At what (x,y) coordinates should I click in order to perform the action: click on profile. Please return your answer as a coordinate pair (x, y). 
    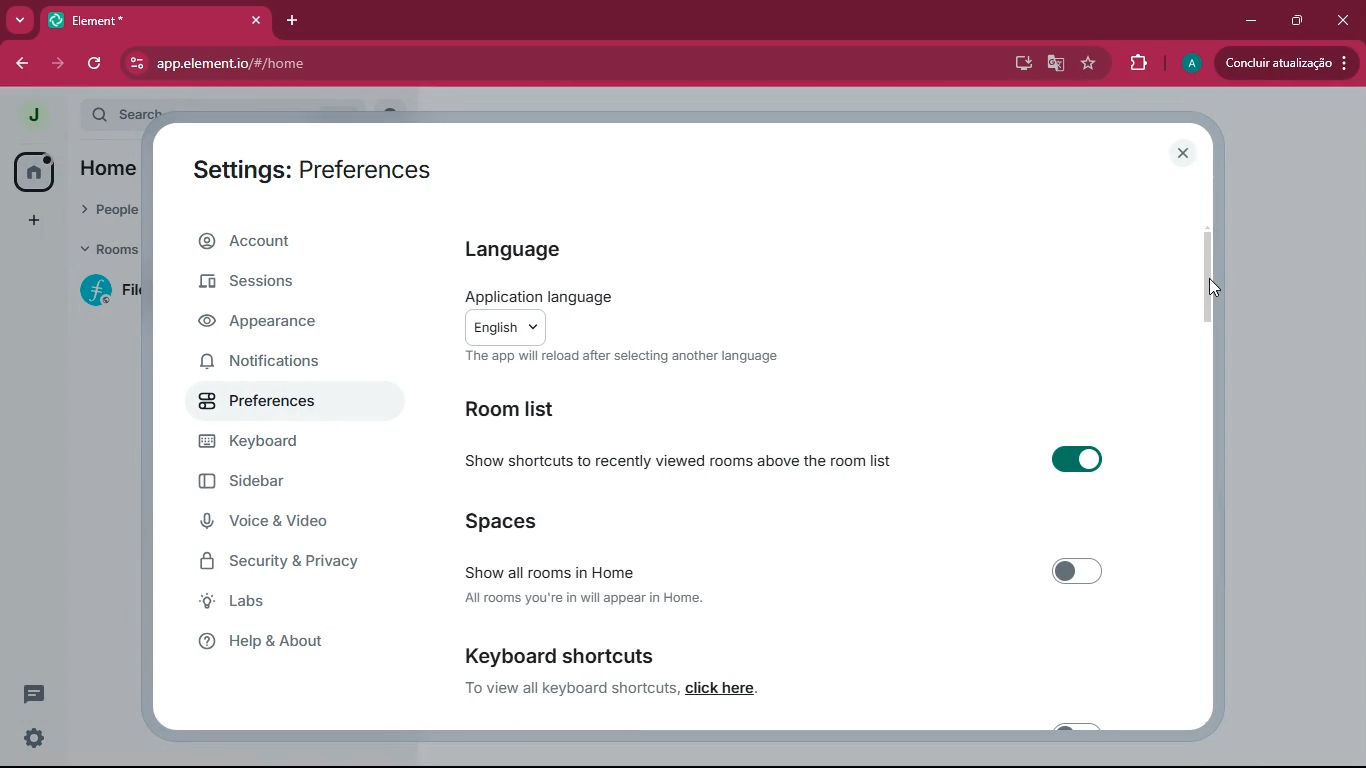
    Looking at the image, I should click on (34, 115).